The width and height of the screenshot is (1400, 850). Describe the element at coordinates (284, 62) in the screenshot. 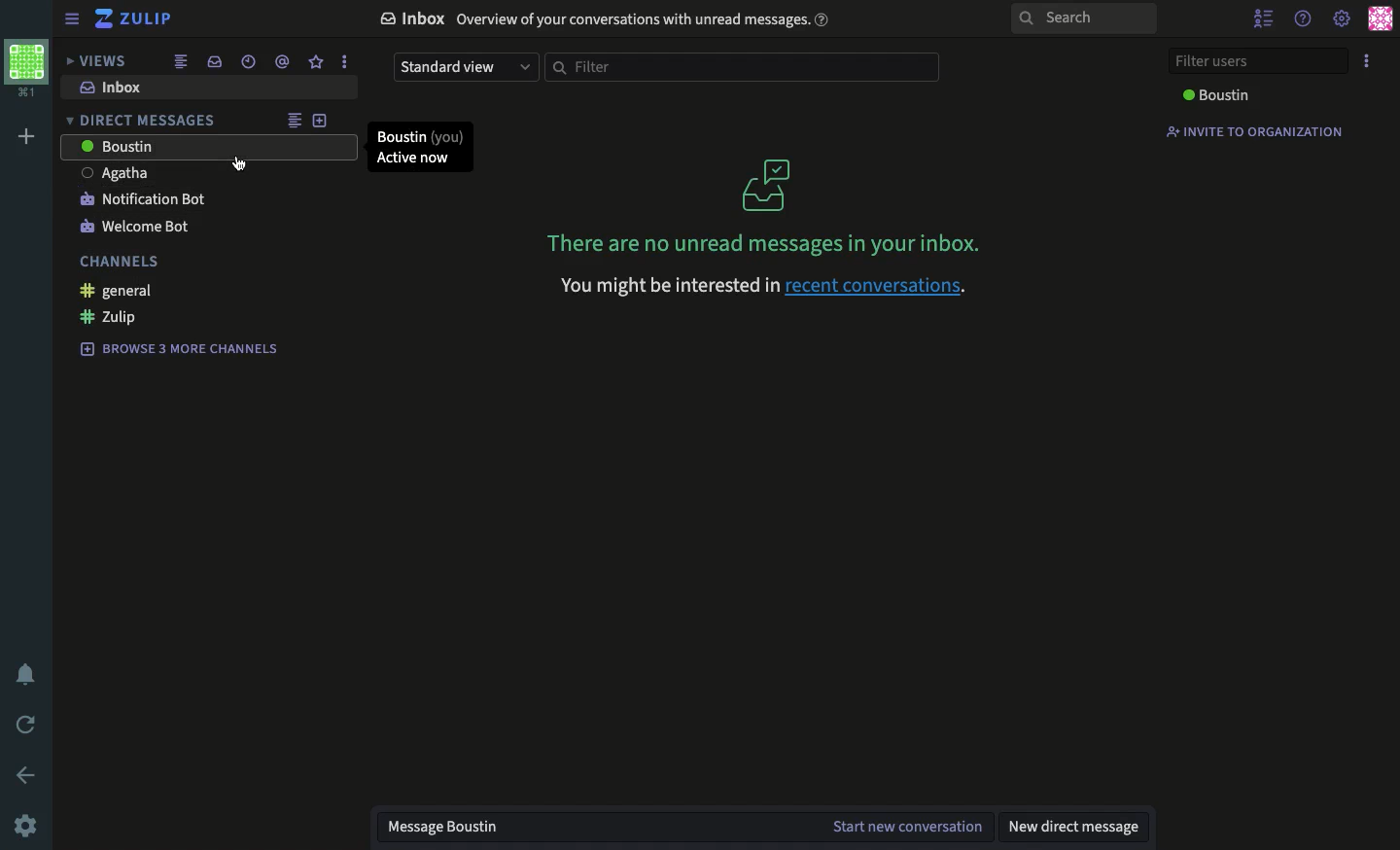

I see `mention` at that location.